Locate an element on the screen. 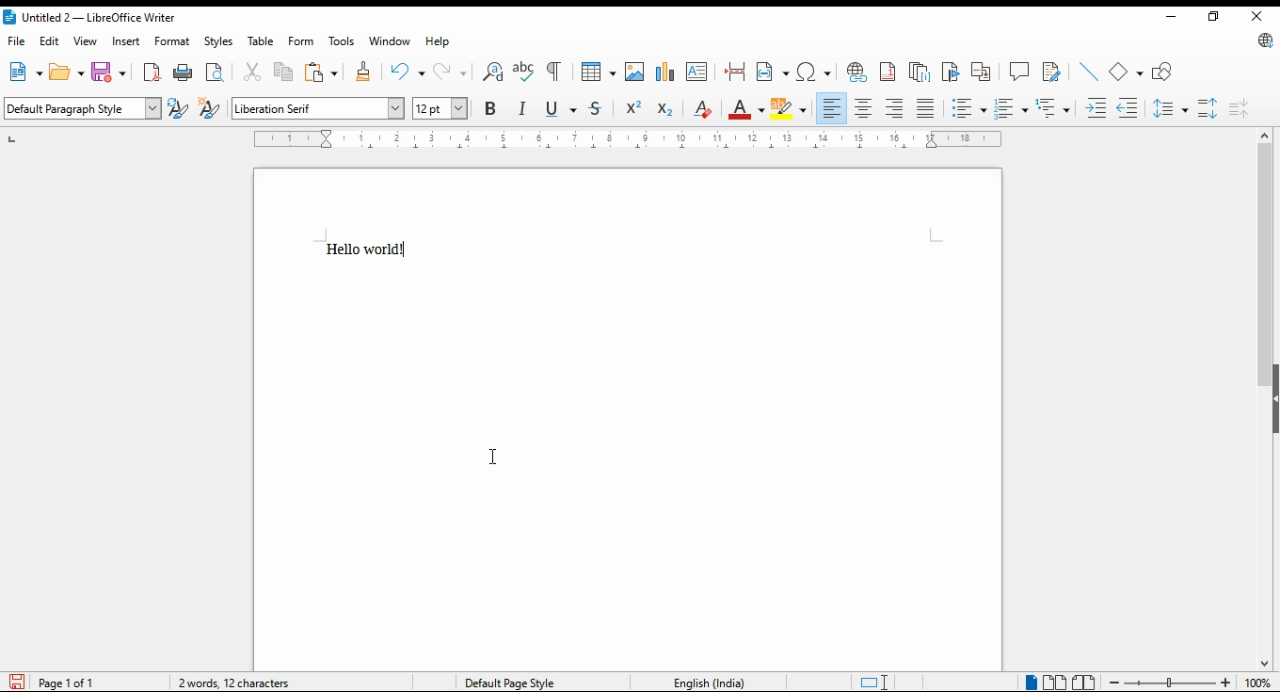  copy is located at coordinates (285, 71).